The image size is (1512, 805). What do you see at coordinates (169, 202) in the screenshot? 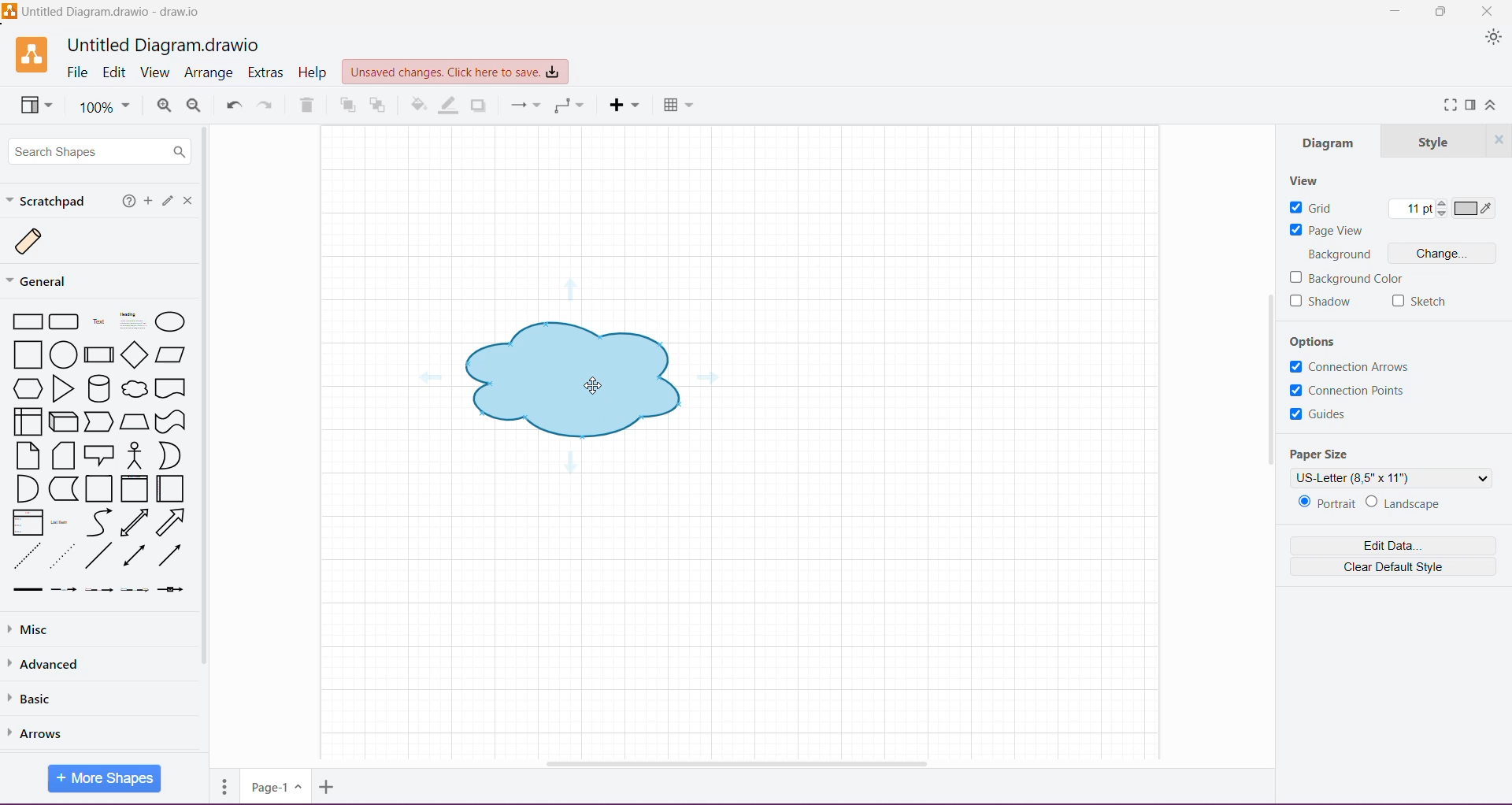
I see `Click or drag and drop shapes` at bounding box center [169, 202].